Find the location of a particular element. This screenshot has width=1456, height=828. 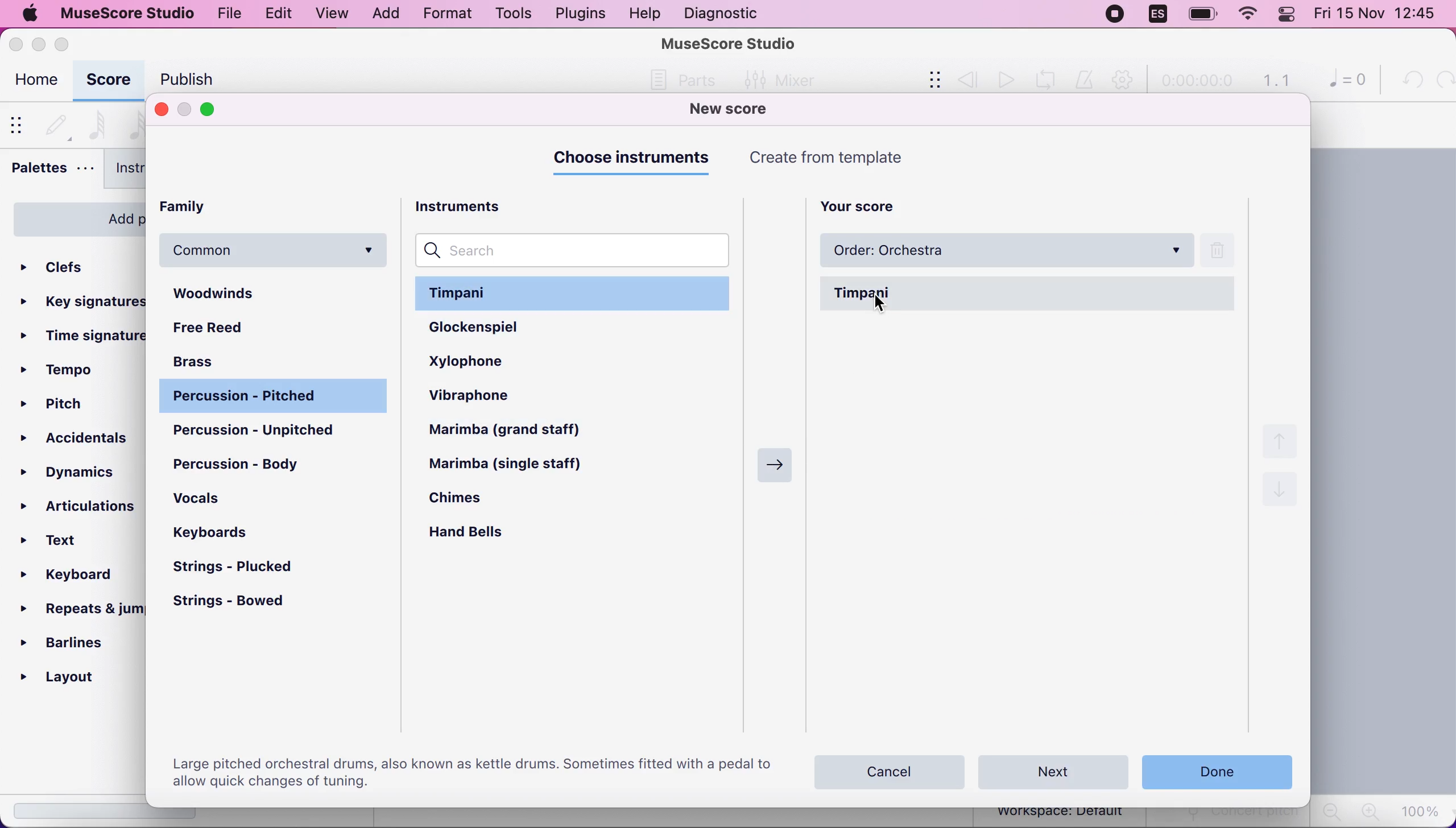

clefs is located at coordinates (74, 263).